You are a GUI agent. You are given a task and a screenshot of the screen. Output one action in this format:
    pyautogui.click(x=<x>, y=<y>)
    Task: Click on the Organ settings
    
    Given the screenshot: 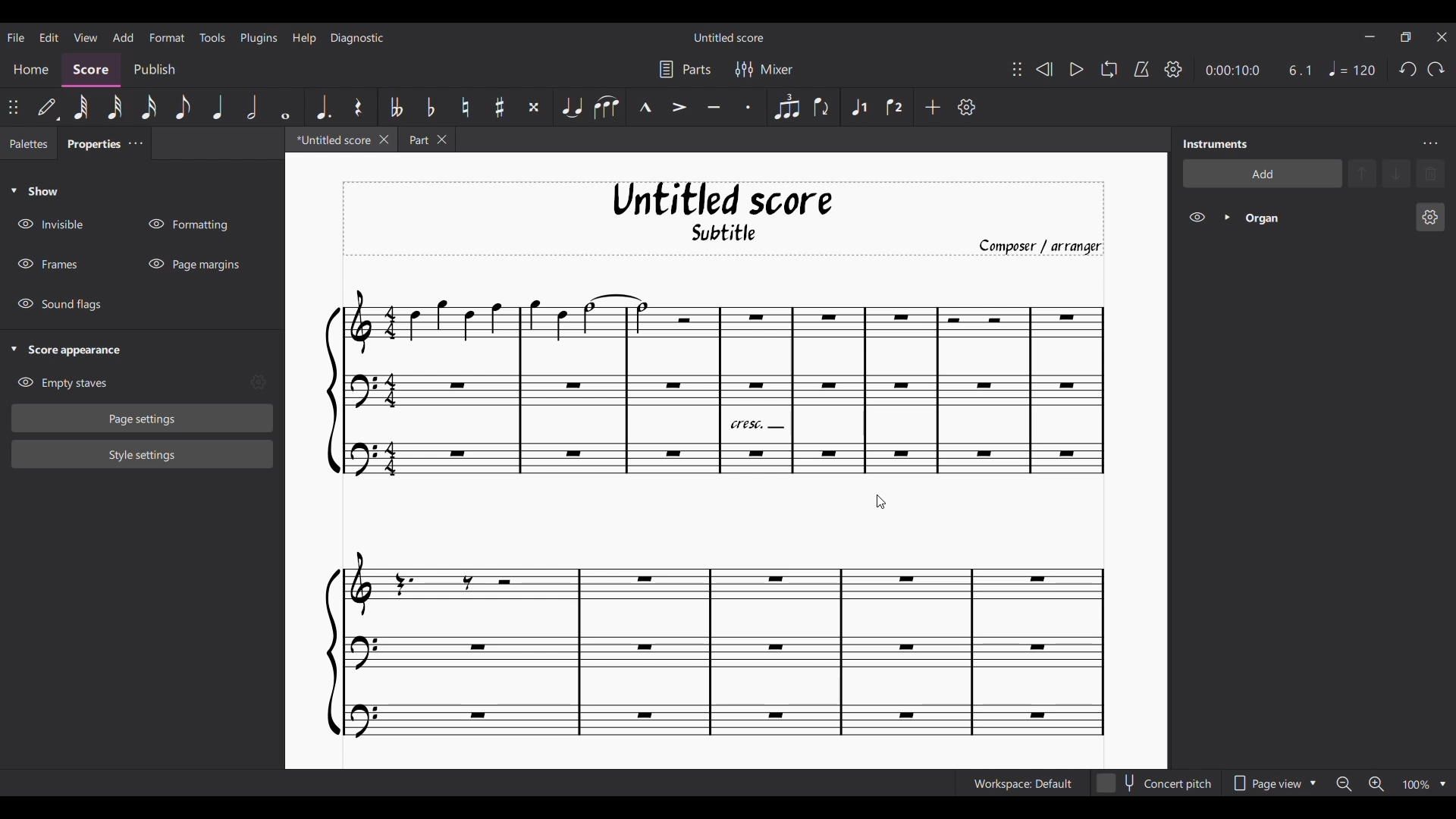 What is the action you would take?
    pyautogui.click(x=1429, y=217)
    